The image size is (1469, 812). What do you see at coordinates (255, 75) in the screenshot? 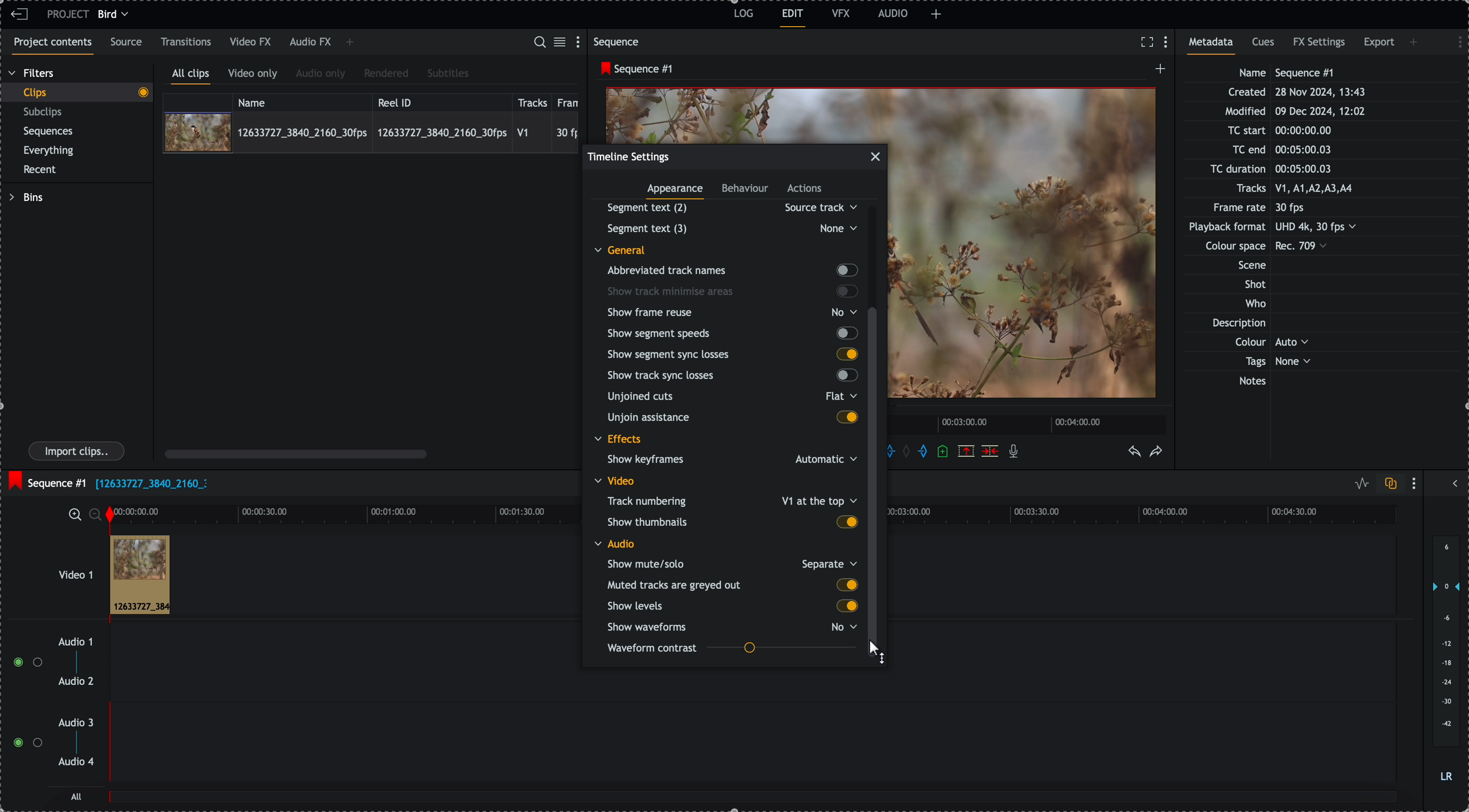
I see `video only` at bounding box center [255, 75].